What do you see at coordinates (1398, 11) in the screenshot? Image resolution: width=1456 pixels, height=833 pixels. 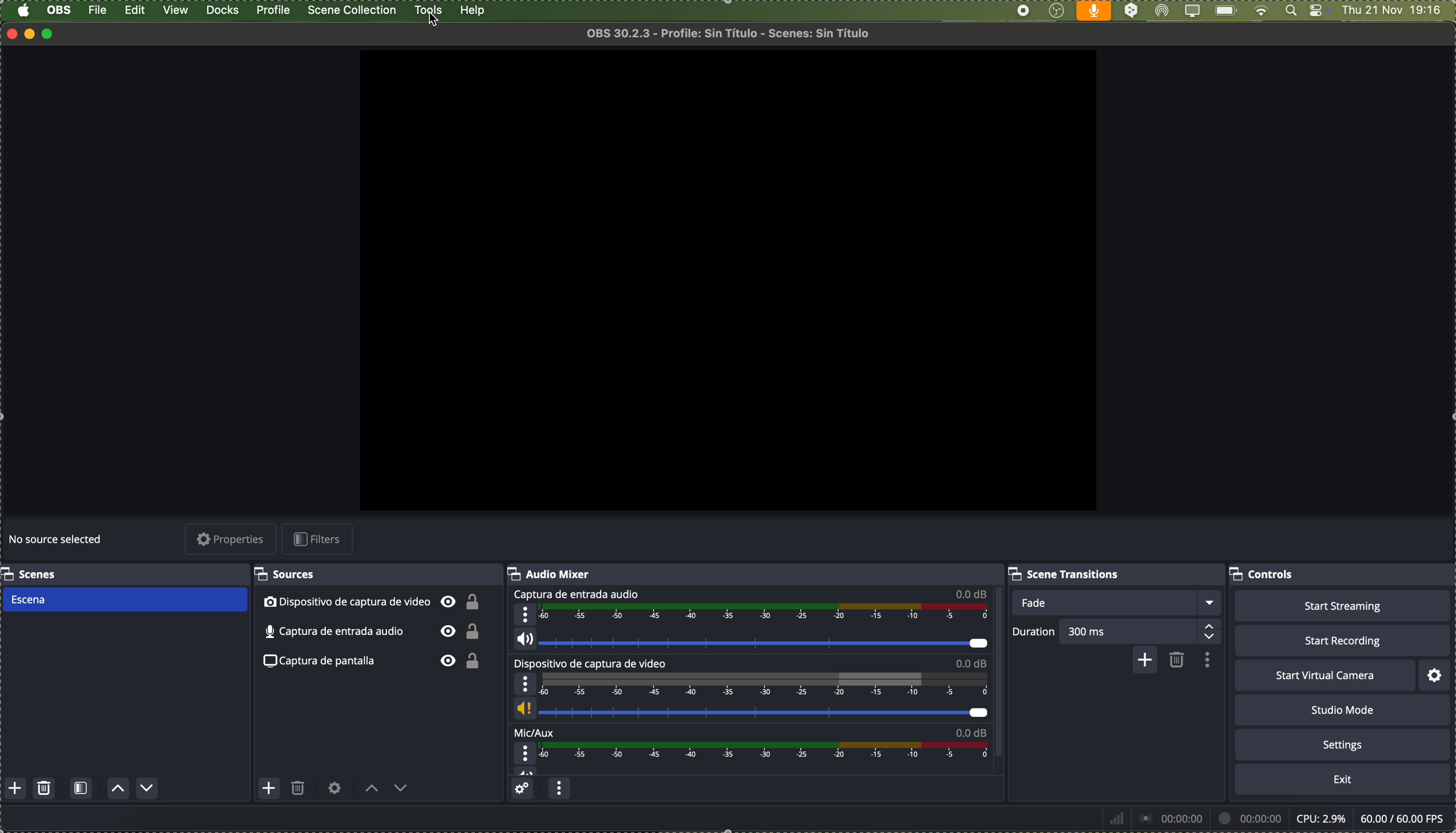 I see `date and hour` at bounding box center [1398, 11].